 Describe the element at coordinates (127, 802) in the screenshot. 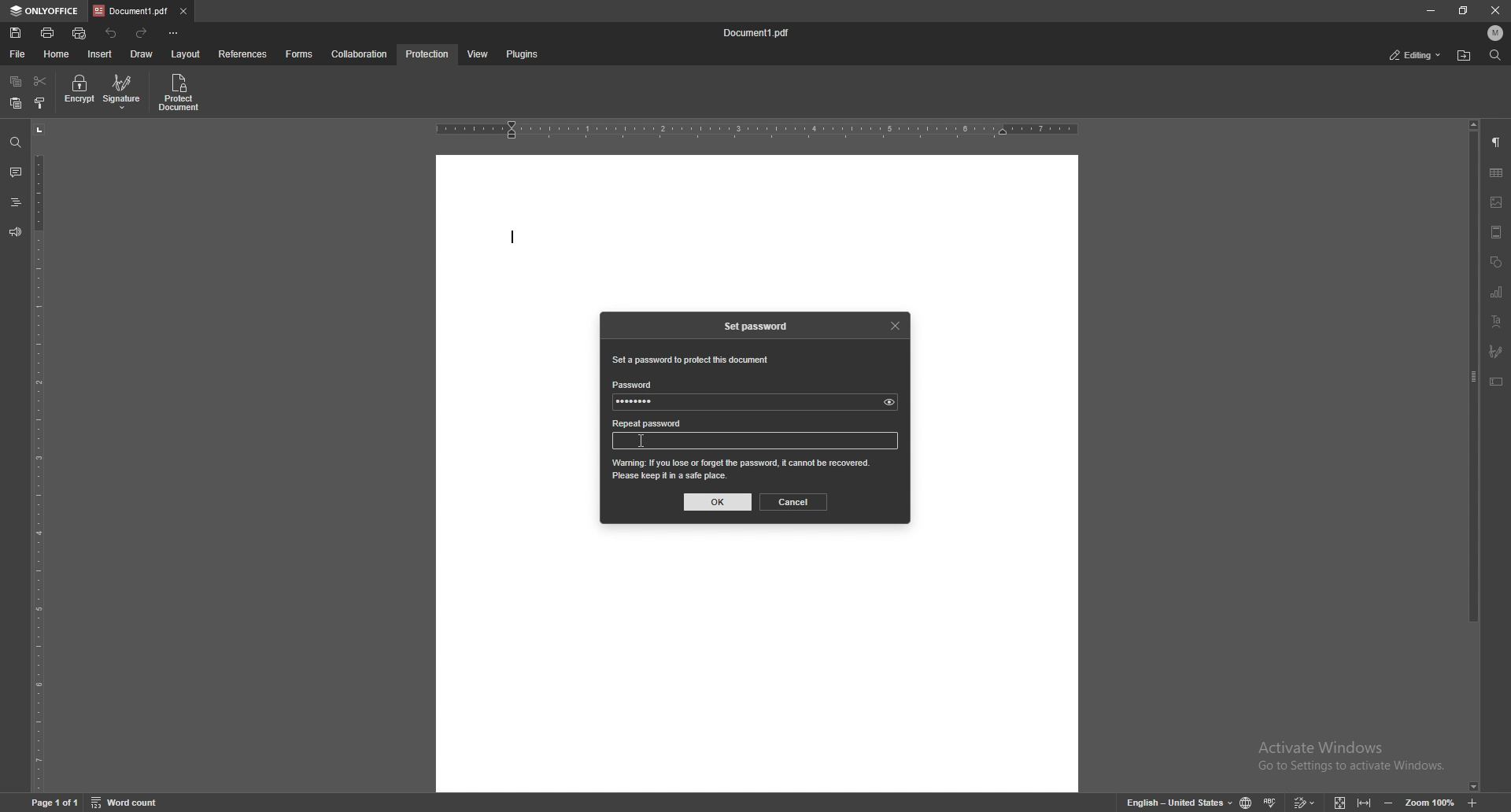

I see `word count` at that location.